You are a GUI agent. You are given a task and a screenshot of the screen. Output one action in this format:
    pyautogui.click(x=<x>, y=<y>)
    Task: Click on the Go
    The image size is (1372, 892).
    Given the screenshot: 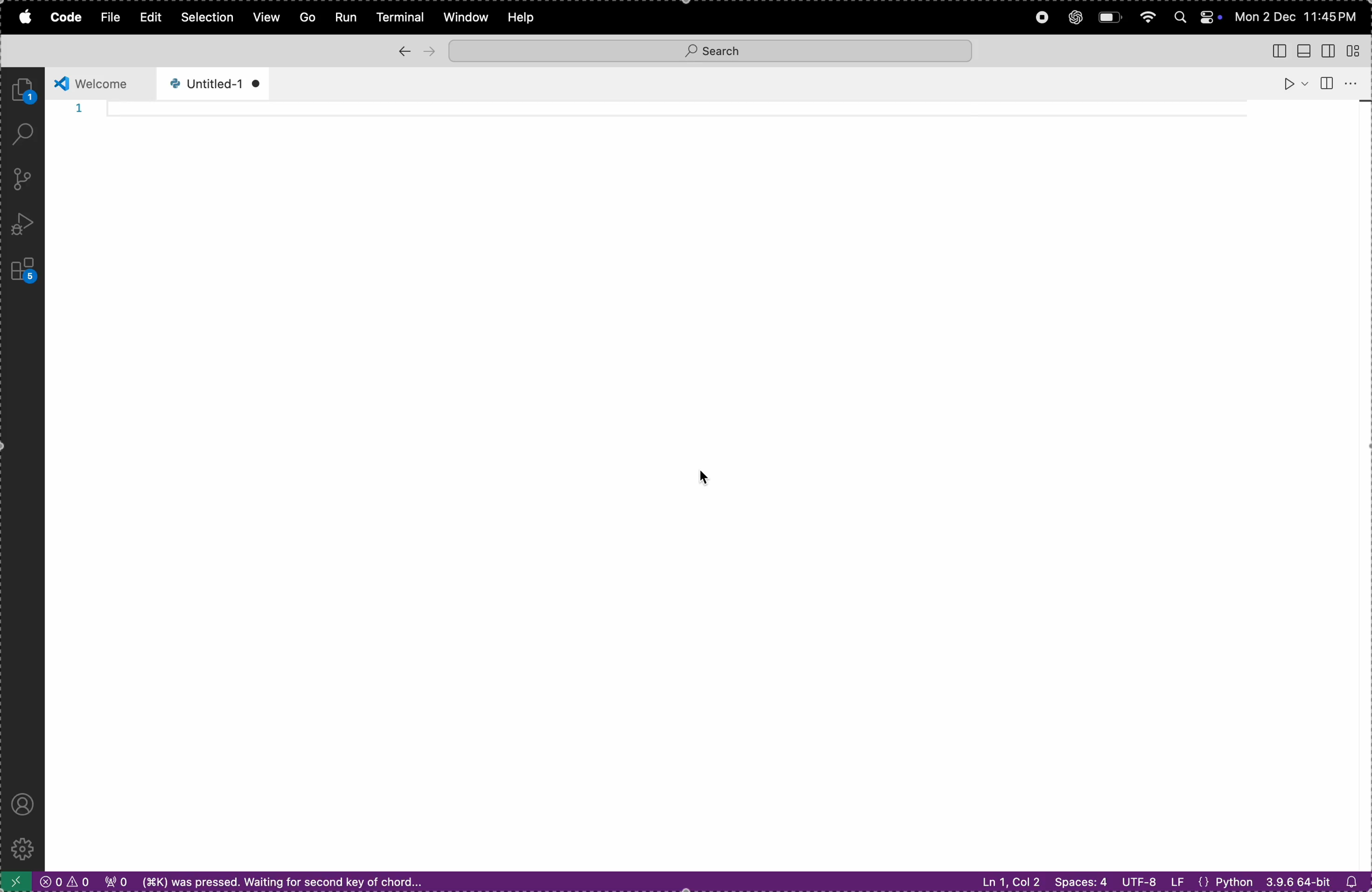 What is the action you would take?
    pyautogui.click(x=305, y=16)
    